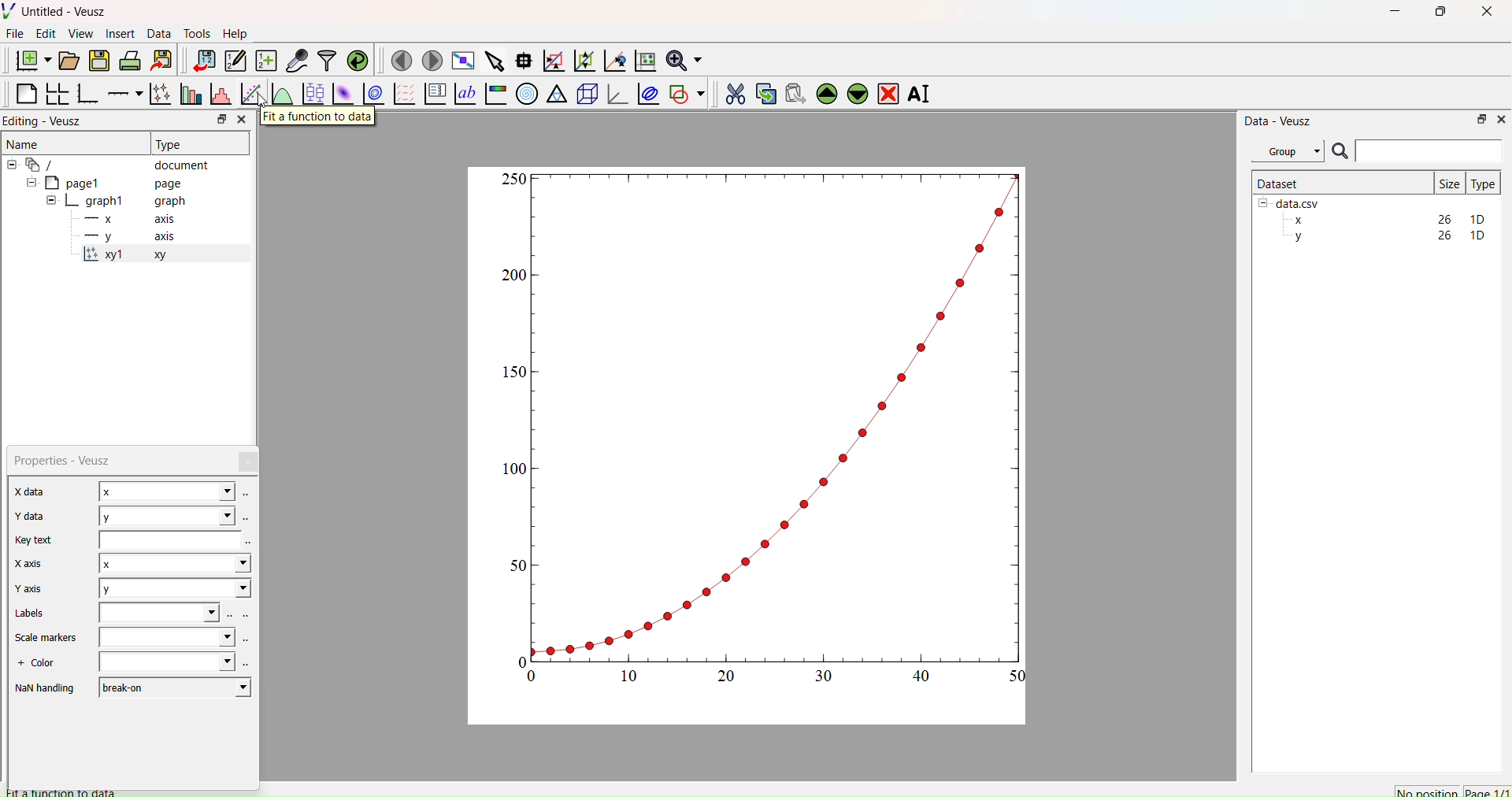 This screenshot has width=1512, height=797. Describe the element at coordinates (356, 59) in the screenshot. I see `Reload linked dataset` at that location.